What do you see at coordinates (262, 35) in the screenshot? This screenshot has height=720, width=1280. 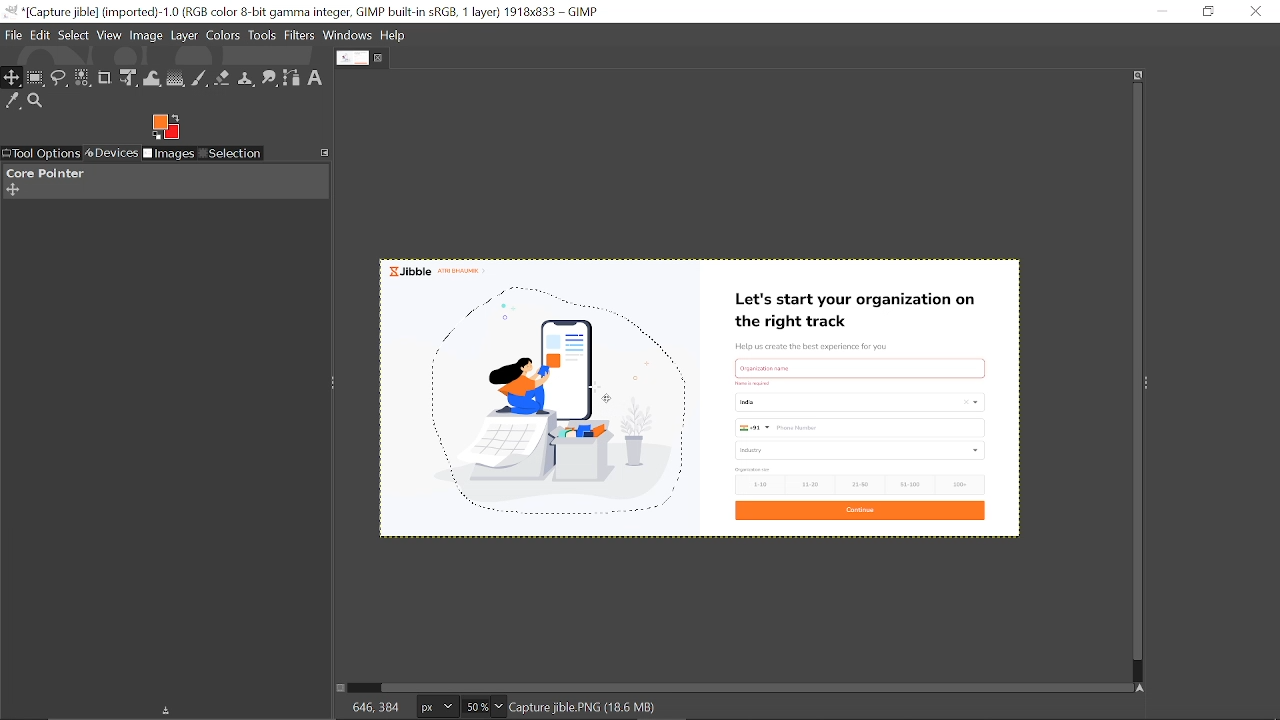 I see `Tools` at bounding box center [262, 35].